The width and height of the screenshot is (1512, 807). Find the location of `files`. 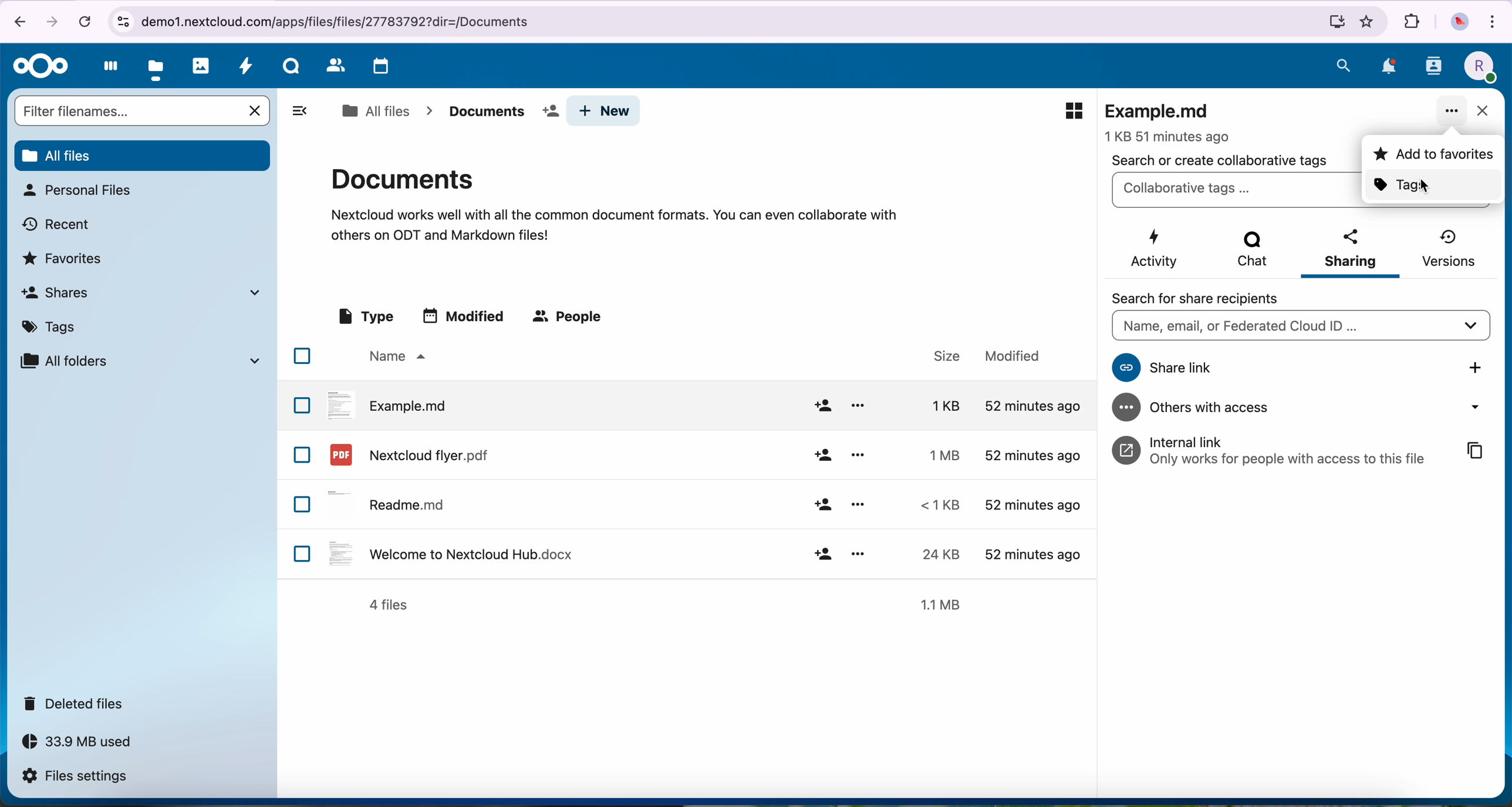

files is located at coordinates (157, 67).